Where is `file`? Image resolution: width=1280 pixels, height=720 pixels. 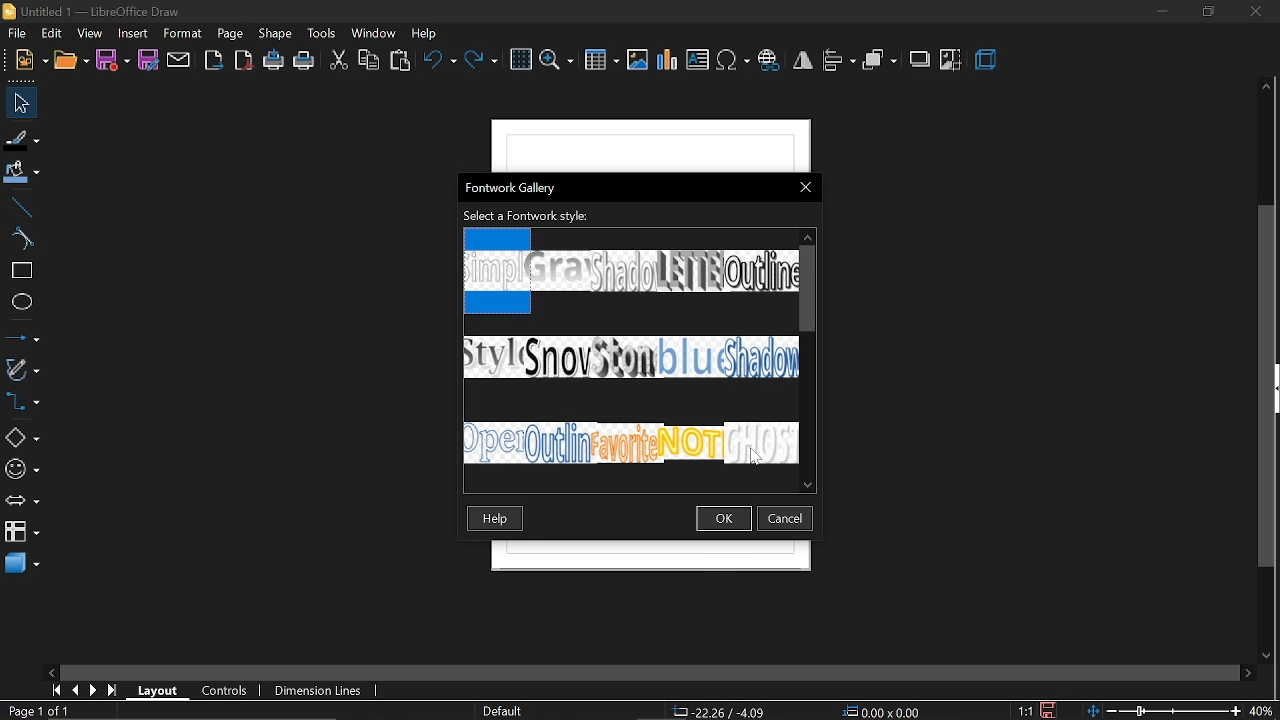 file is located at coordinates (19, 34).